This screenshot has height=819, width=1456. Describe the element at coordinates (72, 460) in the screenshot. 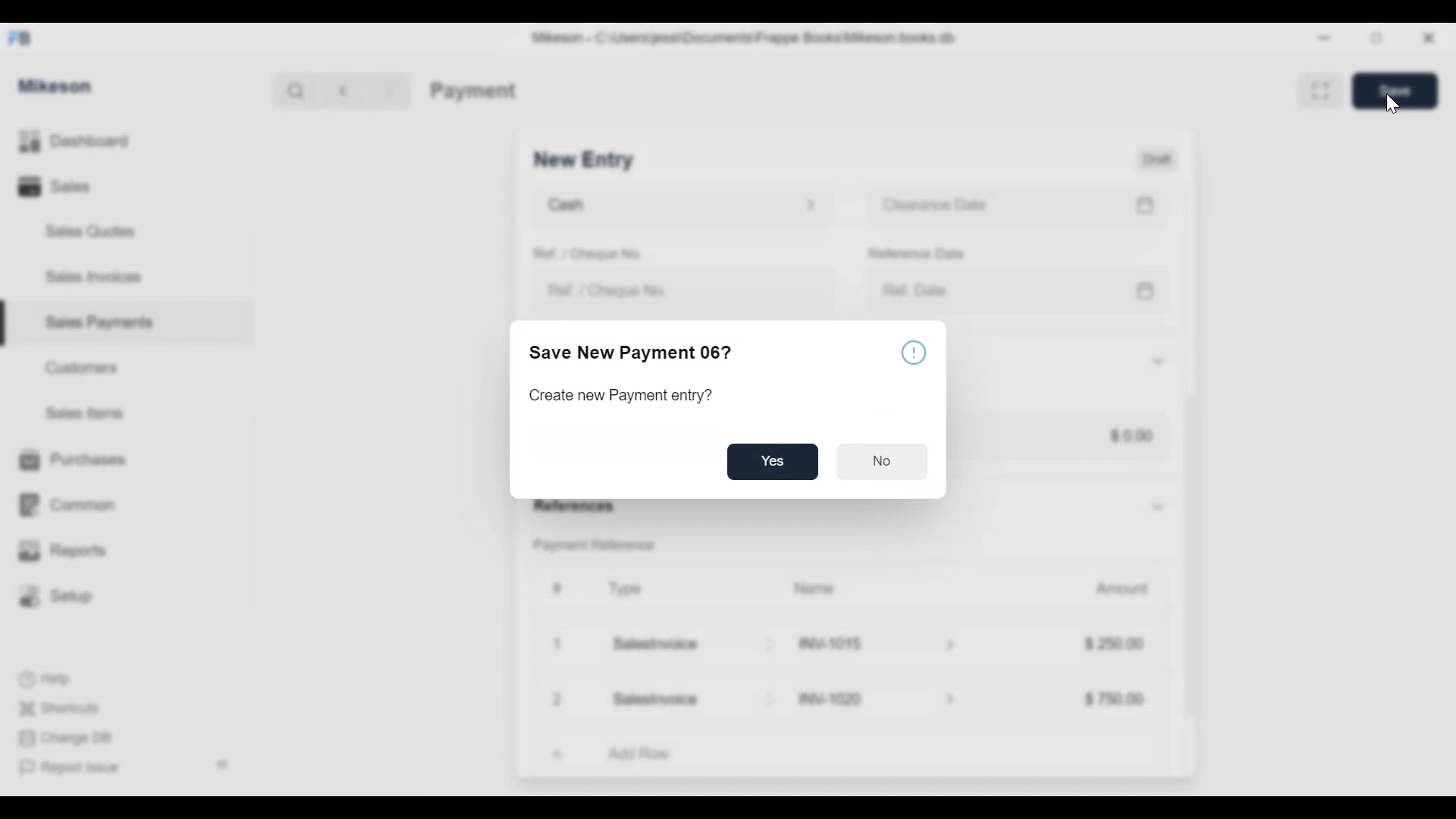

I see `Purchases` at that location.